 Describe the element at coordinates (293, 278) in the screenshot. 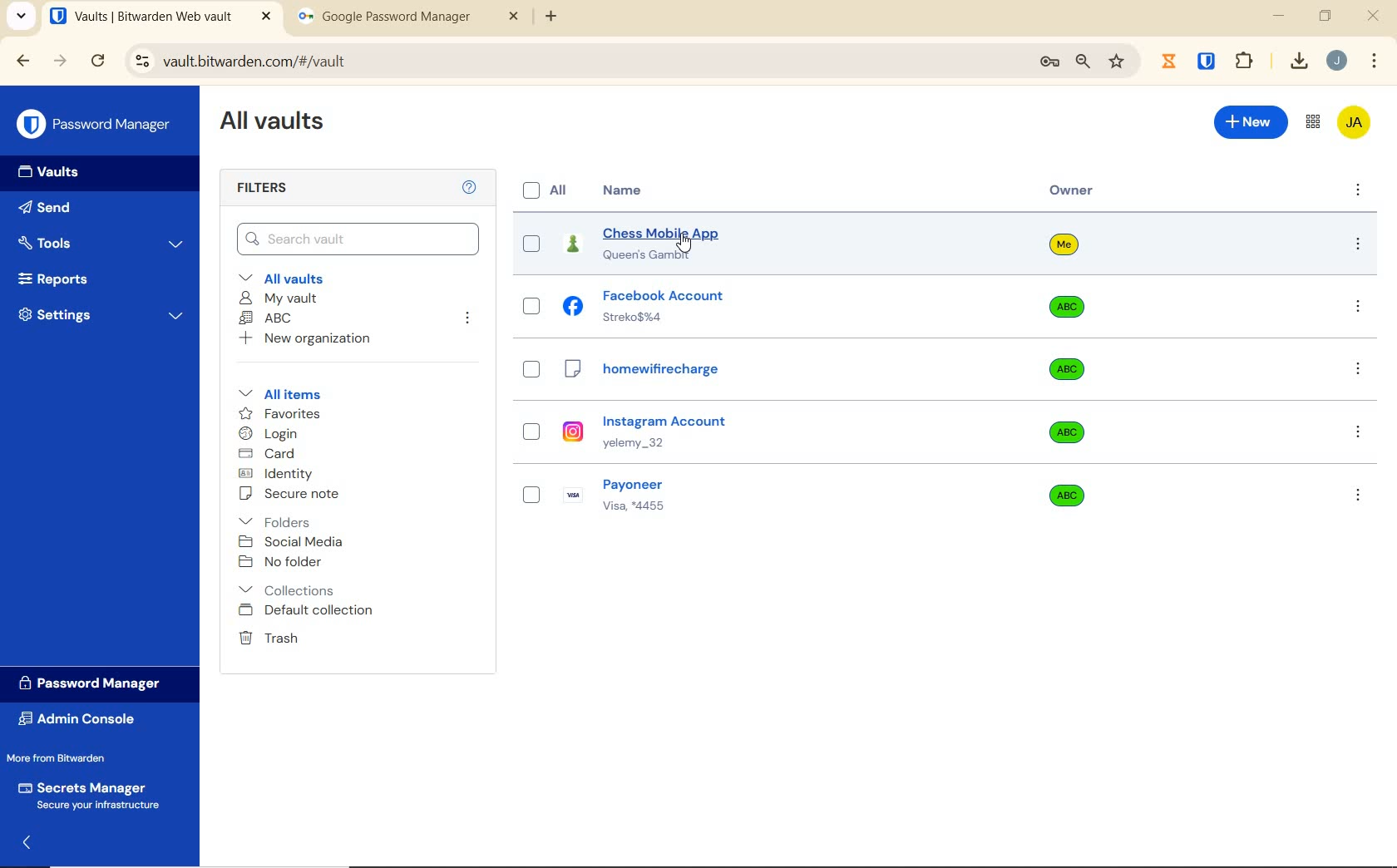

I see `All vaults` at that location.